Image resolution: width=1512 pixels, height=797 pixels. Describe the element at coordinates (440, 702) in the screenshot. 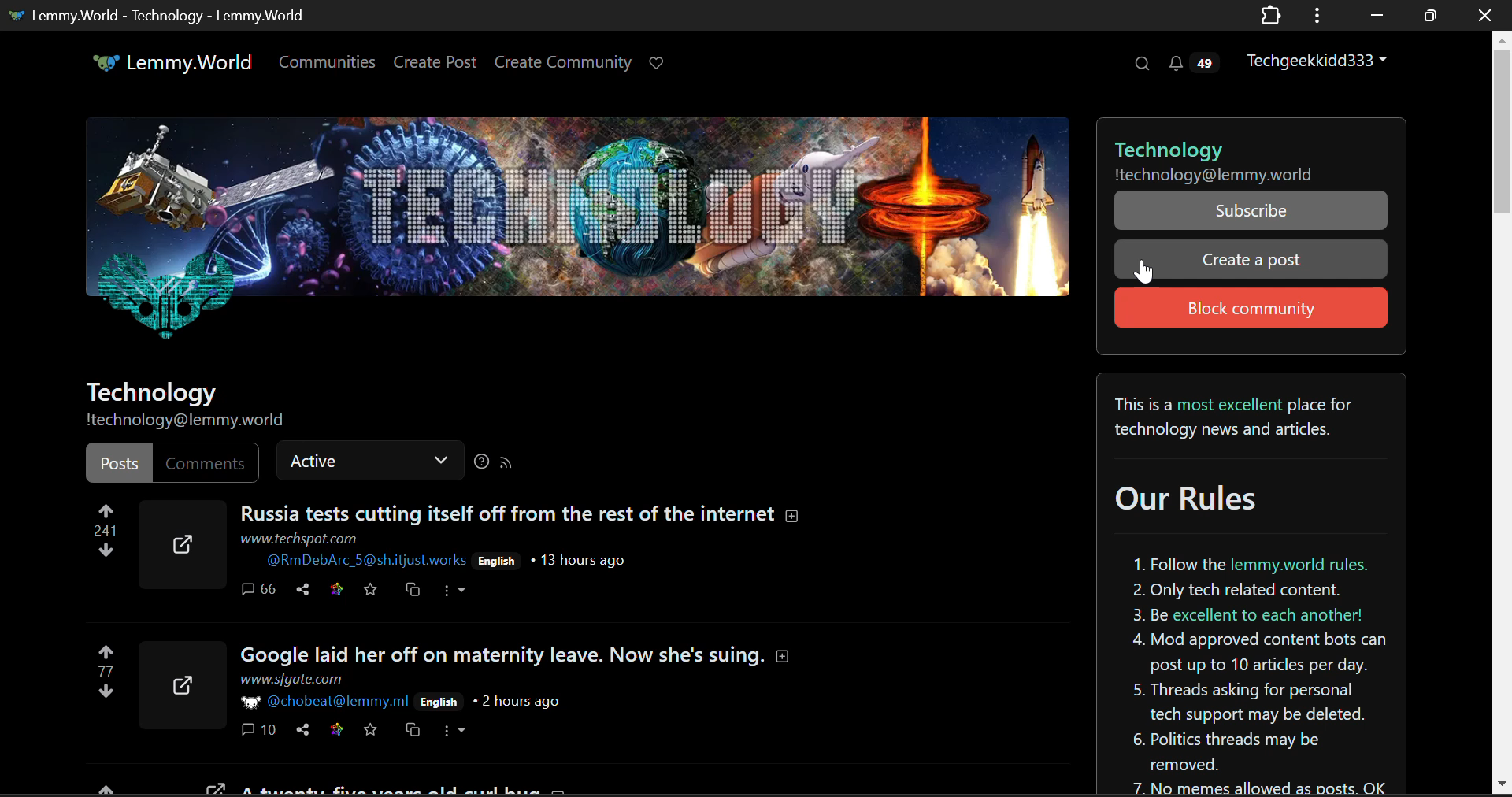

I see `English` at that location.